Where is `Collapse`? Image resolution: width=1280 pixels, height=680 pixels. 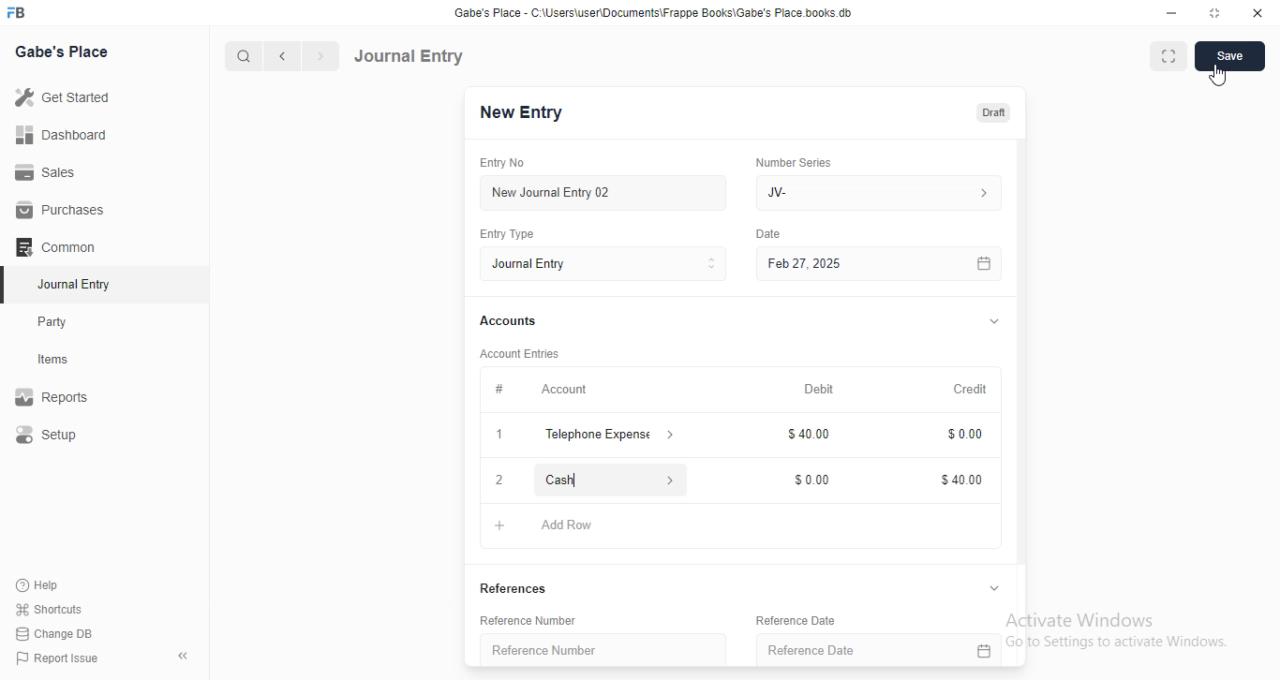
Collapse is located at coordinates (184, 656).